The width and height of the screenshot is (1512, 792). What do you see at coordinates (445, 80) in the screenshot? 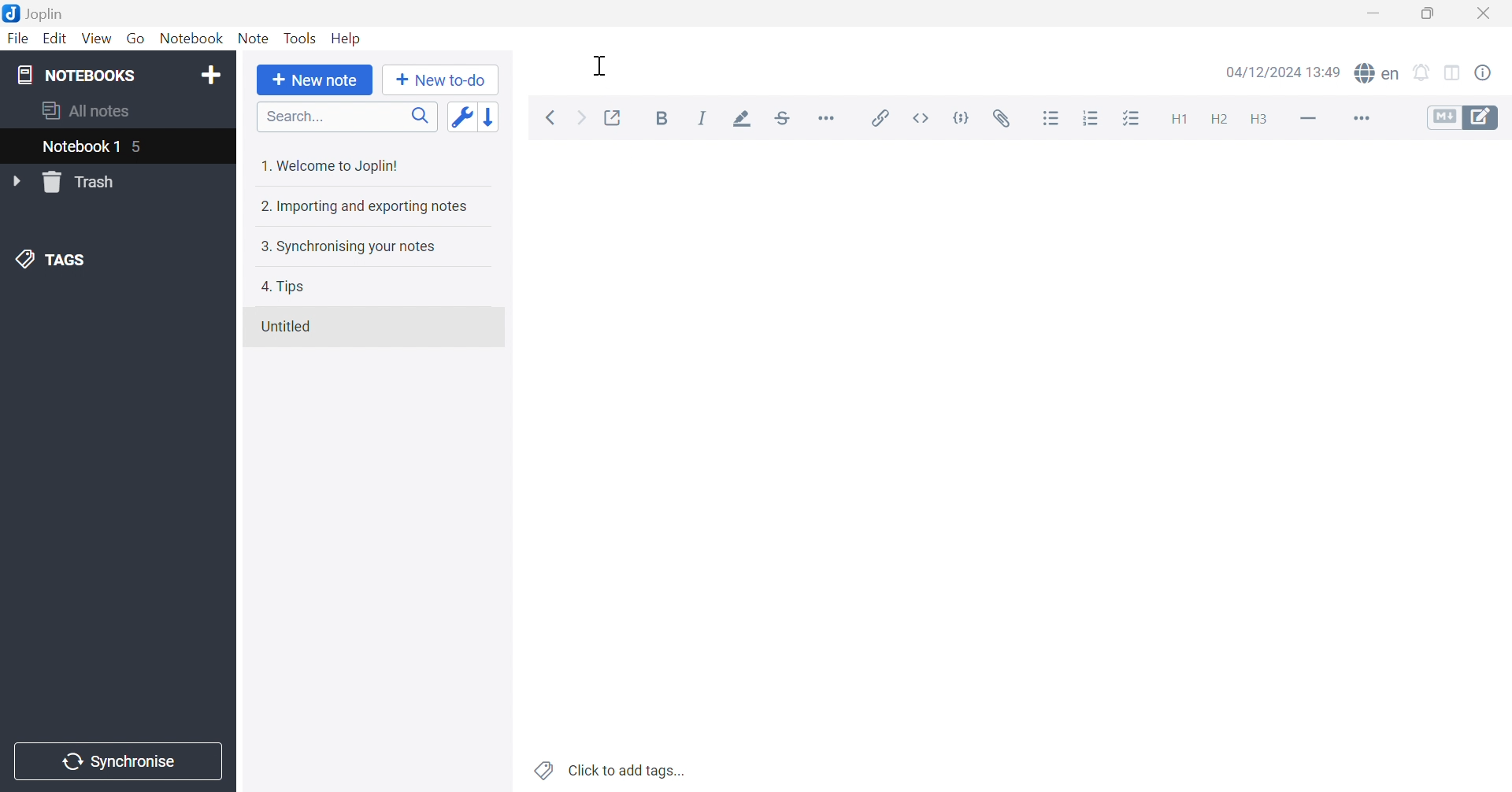
I see `New to-do` at bounding box center [445, 80].